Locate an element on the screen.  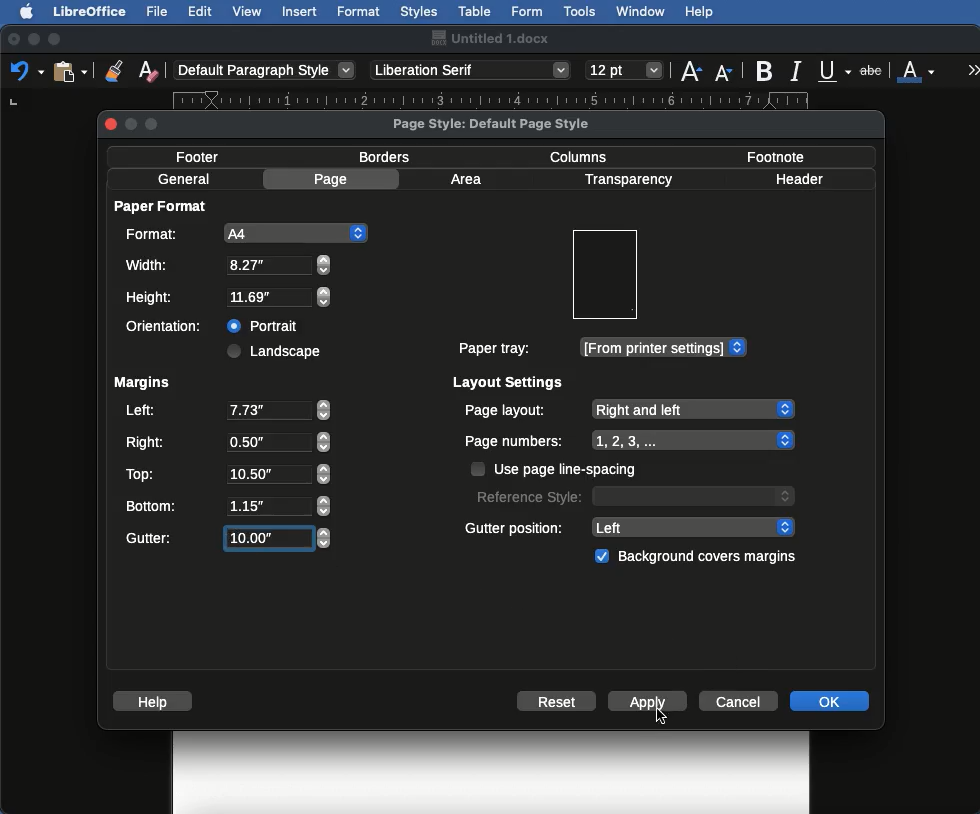
Clone formatting is located at coordinates (114, 70).